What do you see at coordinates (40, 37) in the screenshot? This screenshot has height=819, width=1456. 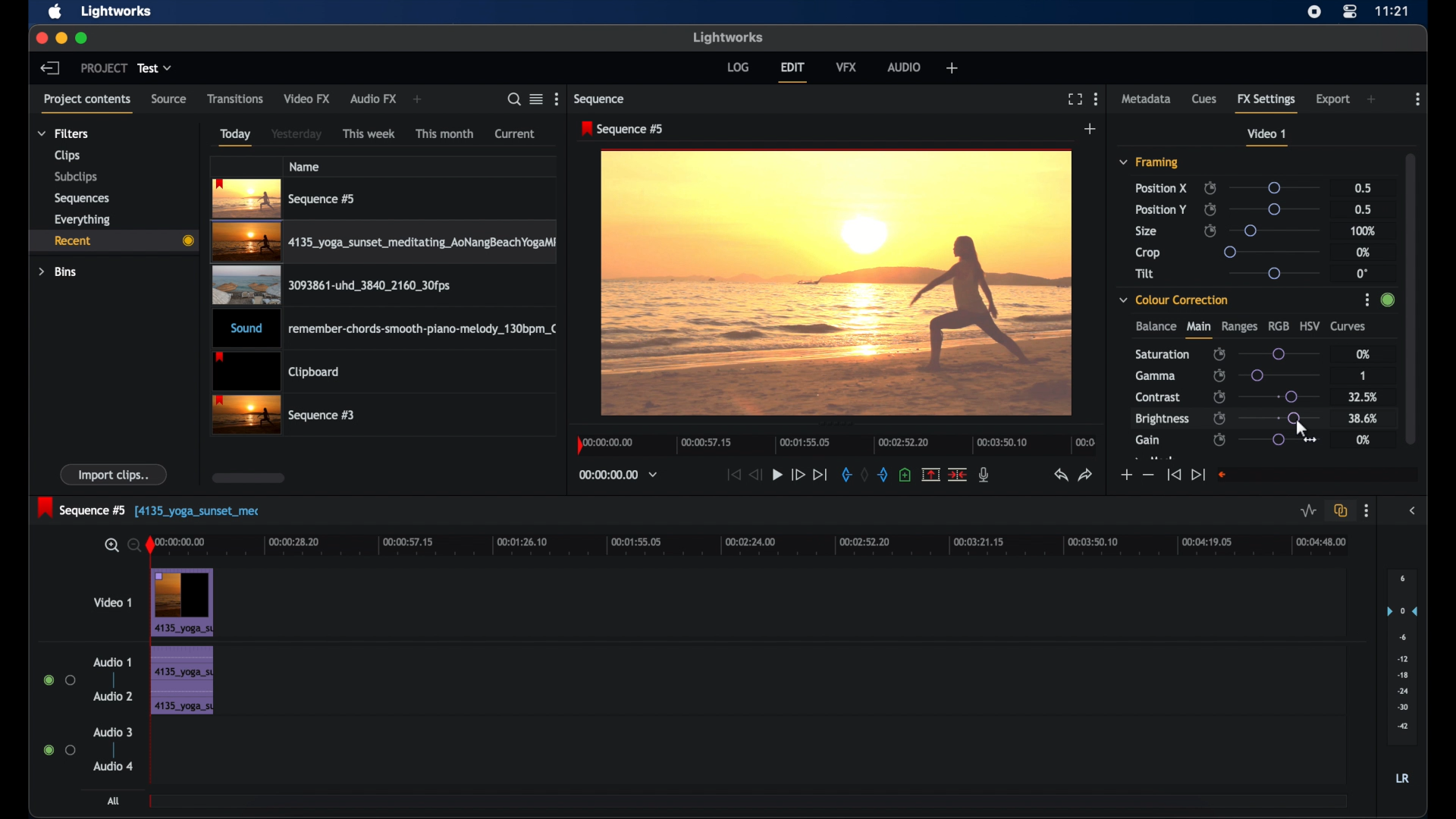 I see `close` at bounding box center [40, 37].